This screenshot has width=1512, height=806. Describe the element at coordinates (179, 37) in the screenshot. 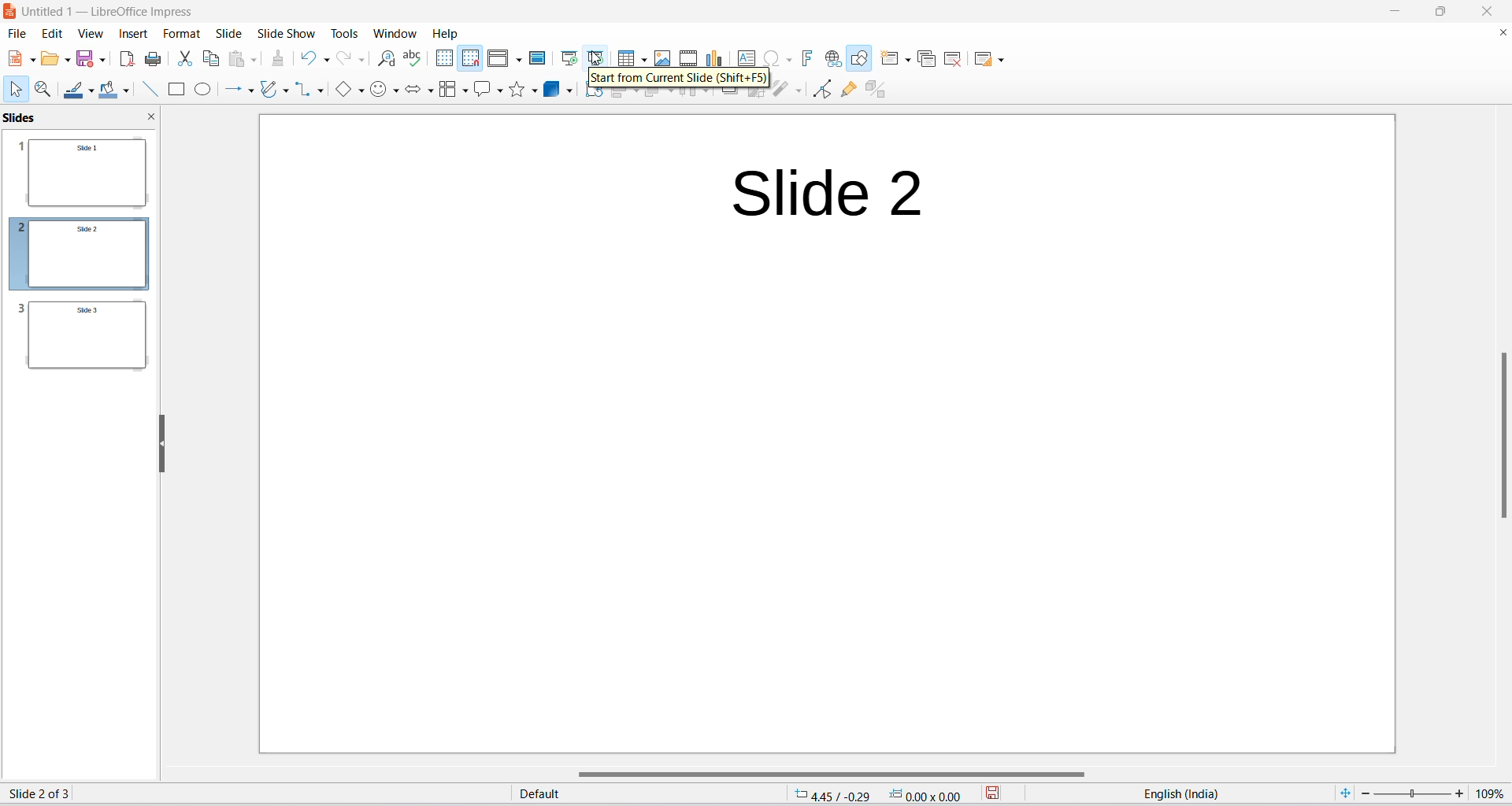

I see `format` at that location.